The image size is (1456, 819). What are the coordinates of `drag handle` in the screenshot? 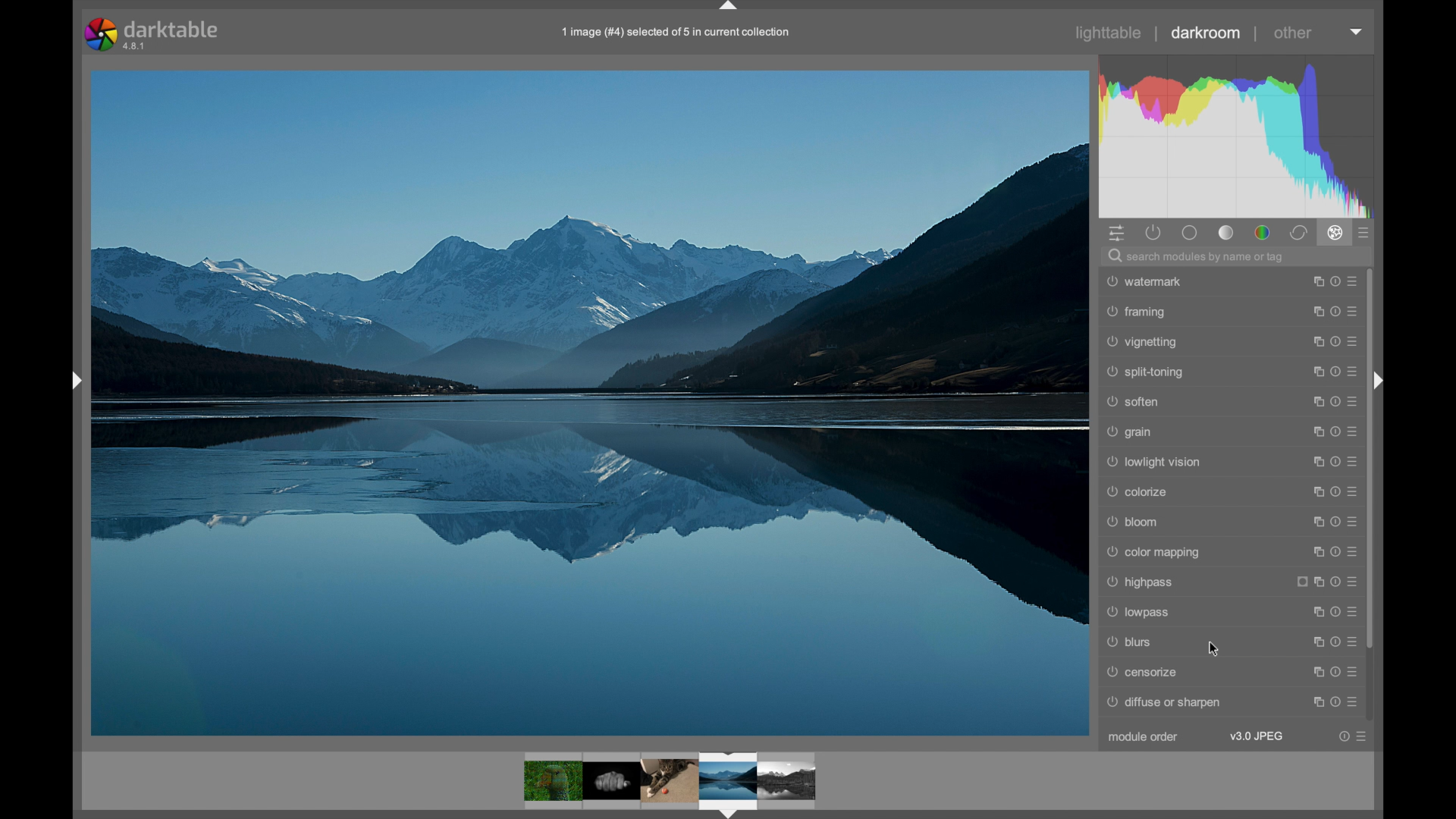 It's located at (730, 7).